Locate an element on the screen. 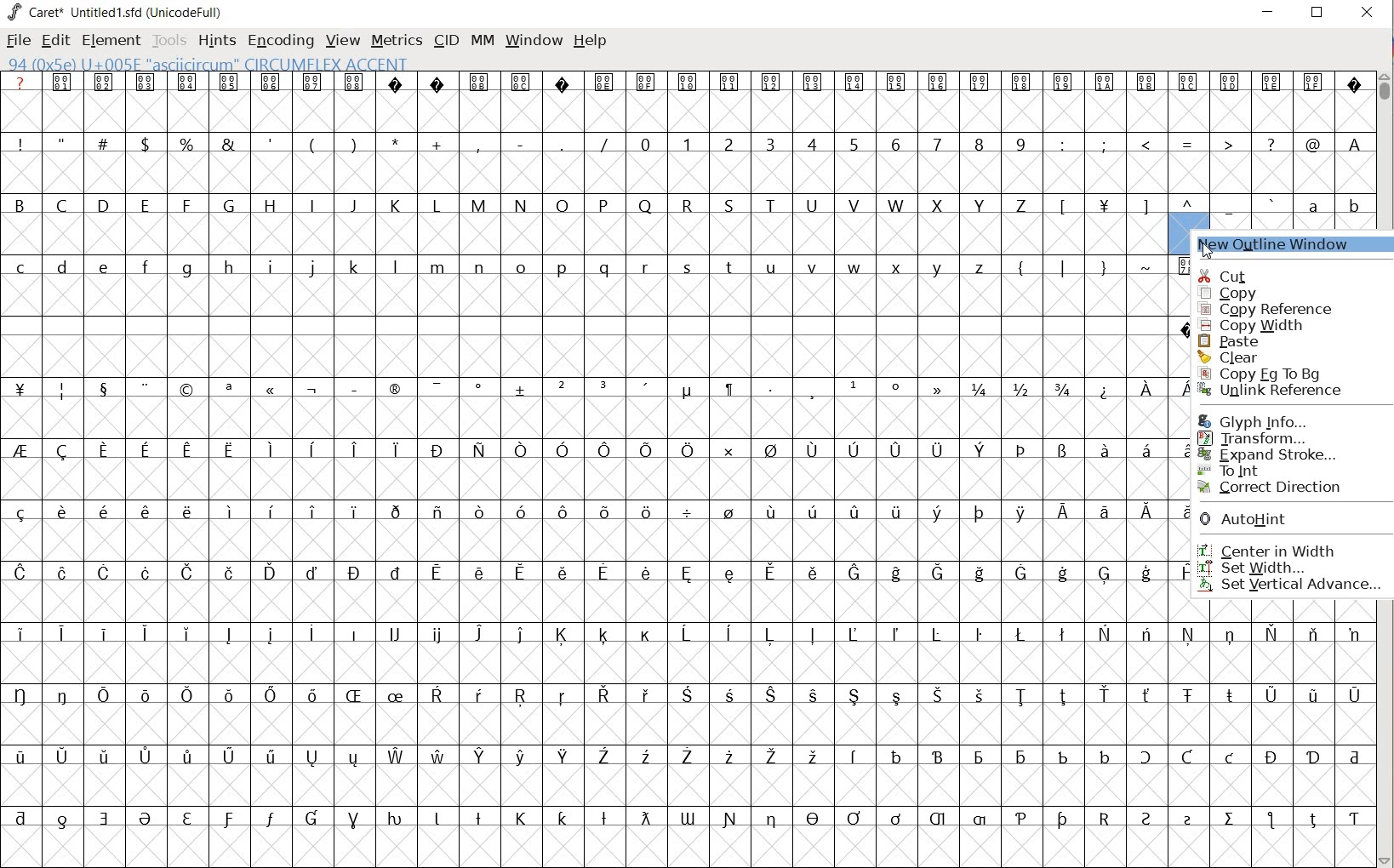 The height and width of the screenshot is (868, 1394). ENCODING is located at coordinates (281, 39).